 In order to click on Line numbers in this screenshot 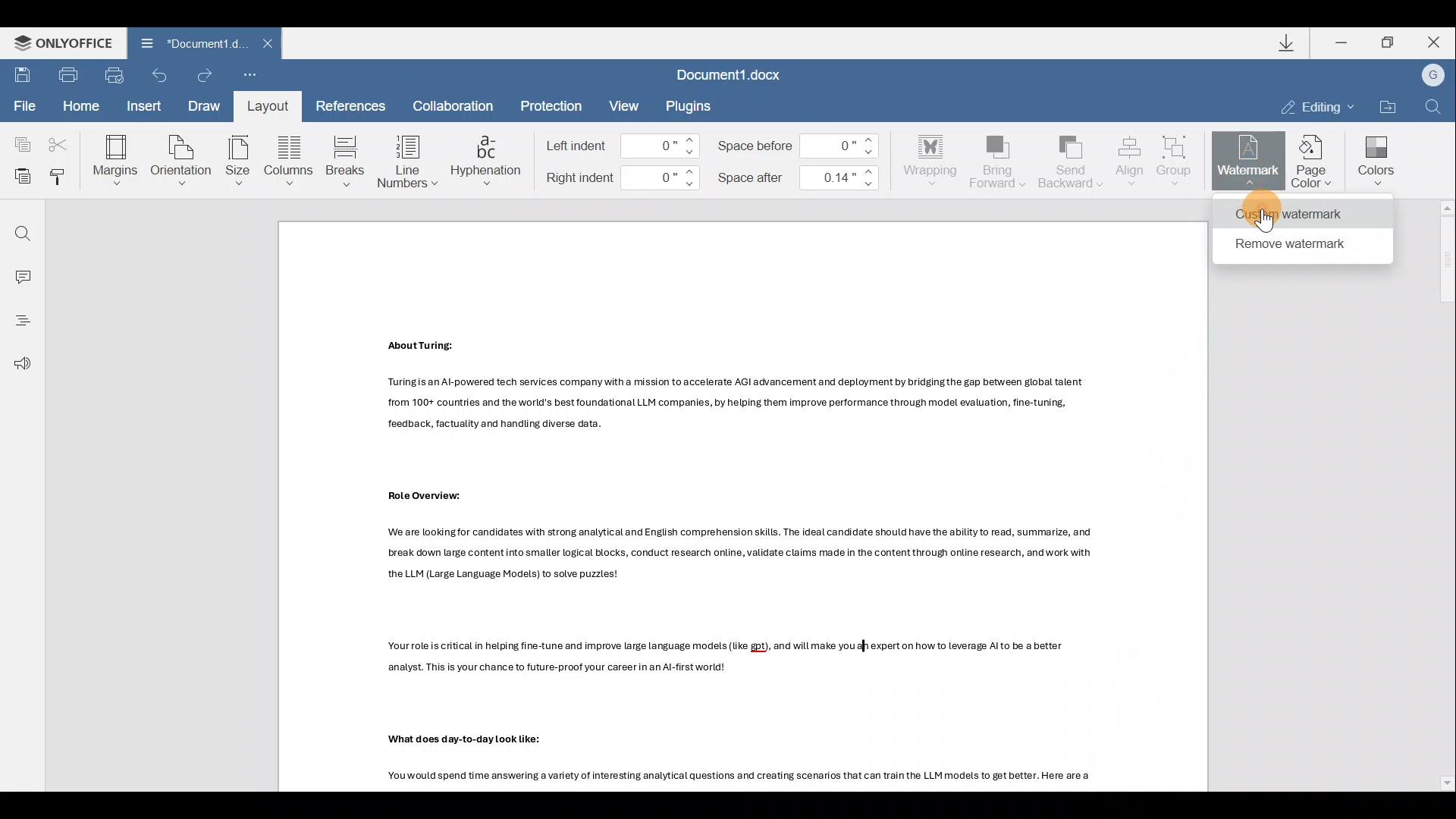, I will do `click(405, 161)`.